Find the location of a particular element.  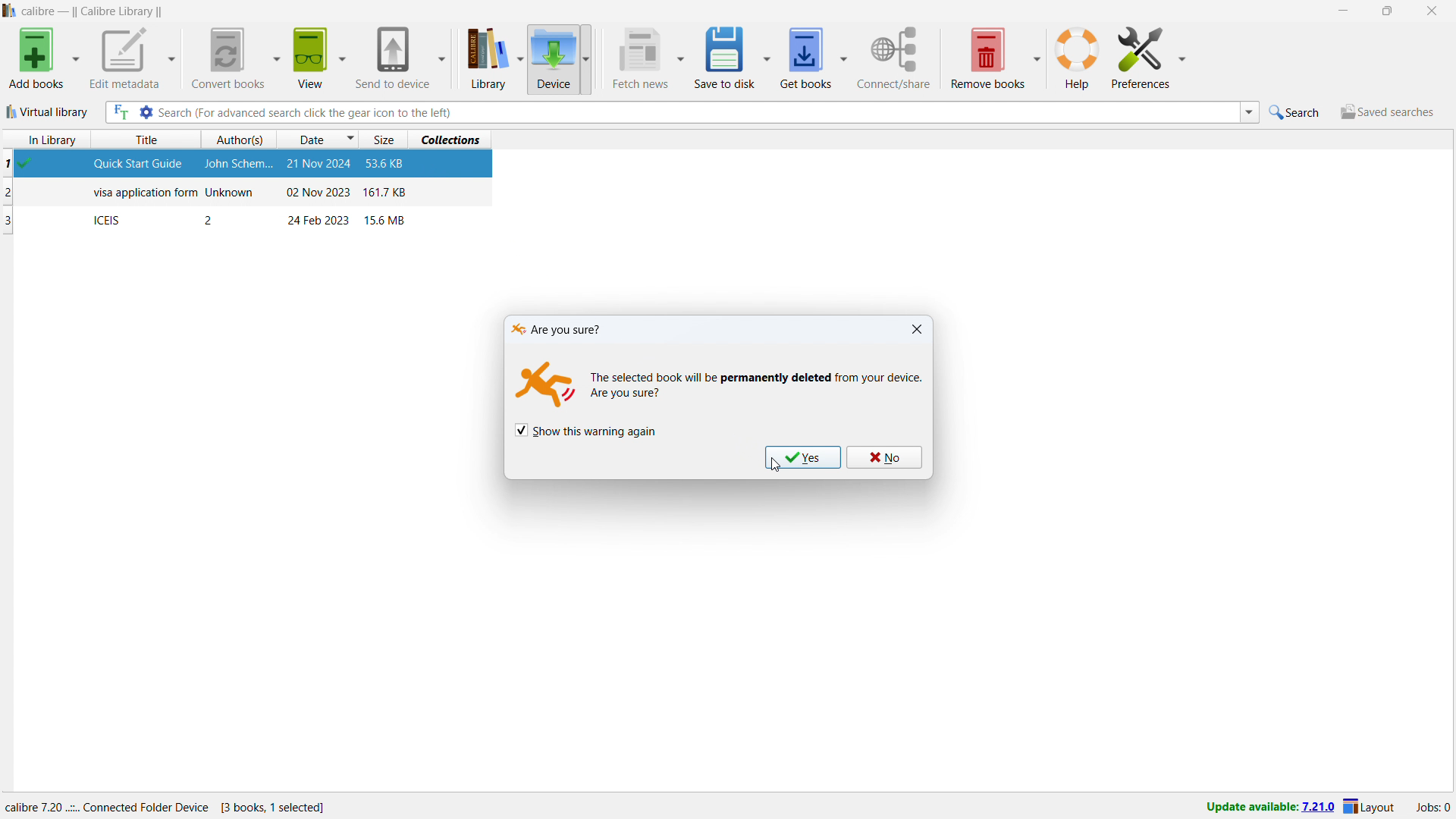

update is located at coordinates (1269, 808).